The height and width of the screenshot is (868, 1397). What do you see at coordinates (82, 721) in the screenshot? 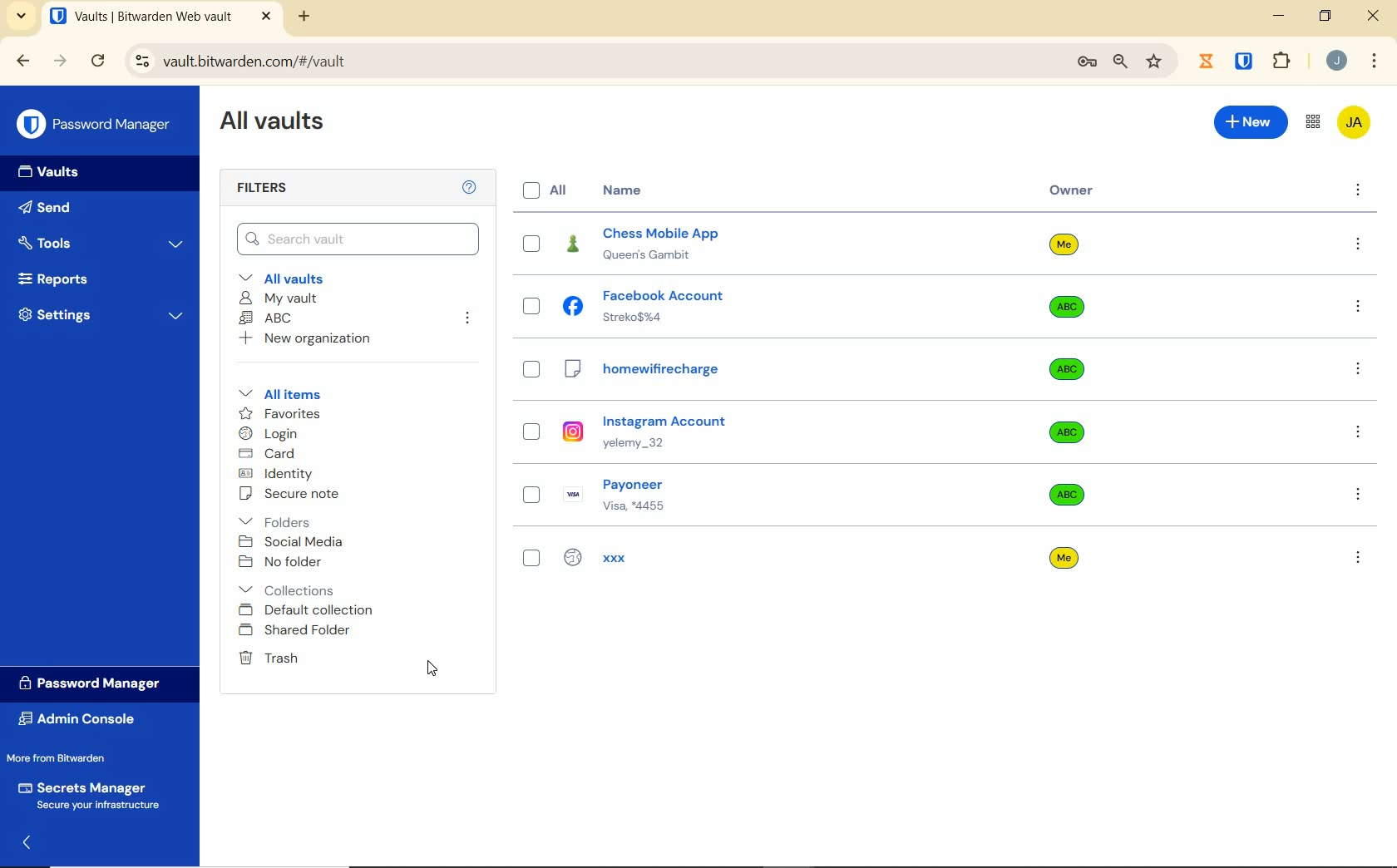
I see `Admin Console` at bounding box center [82, 721].